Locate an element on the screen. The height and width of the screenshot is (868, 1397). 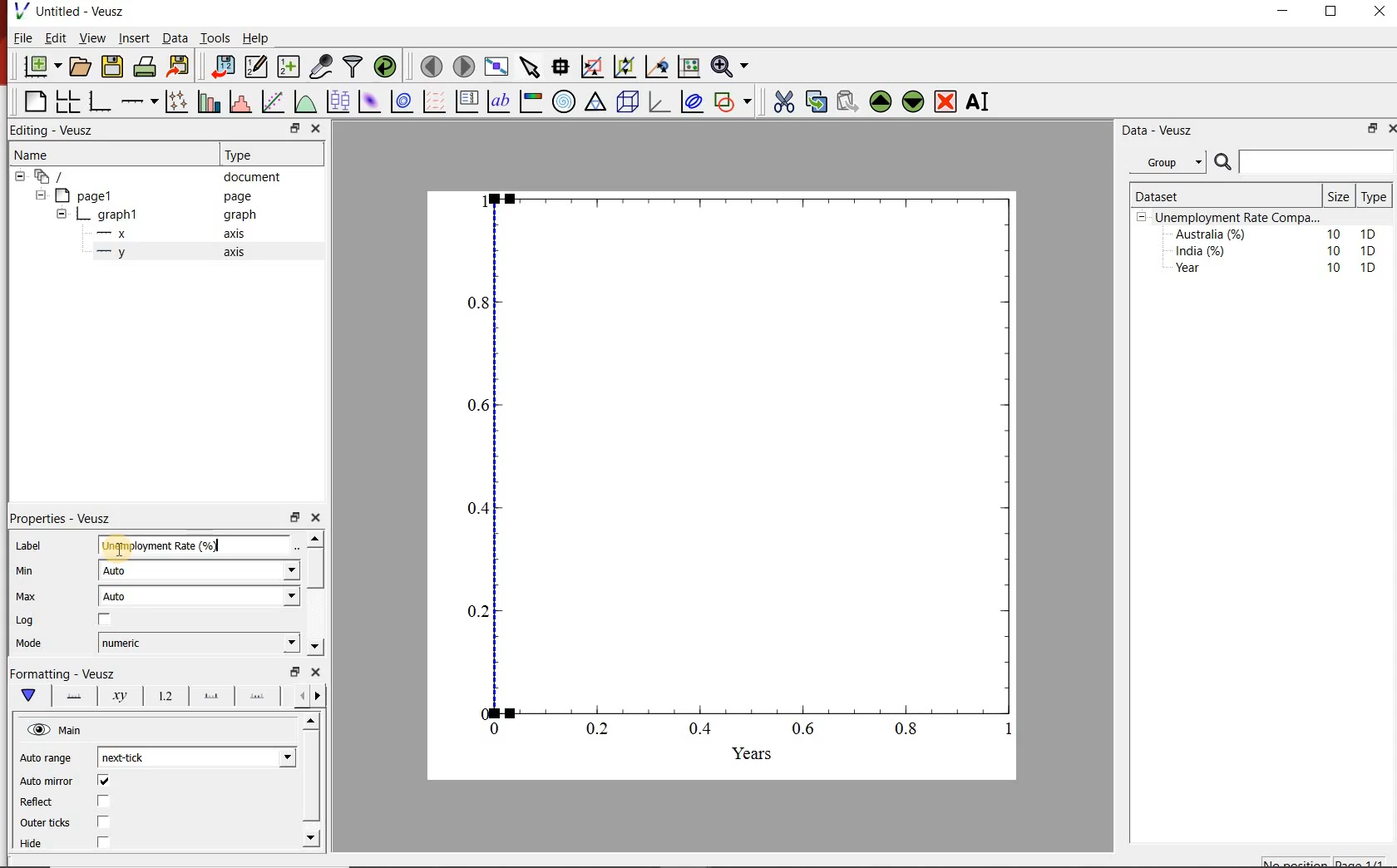
close is located at coordinates (1392, 127).